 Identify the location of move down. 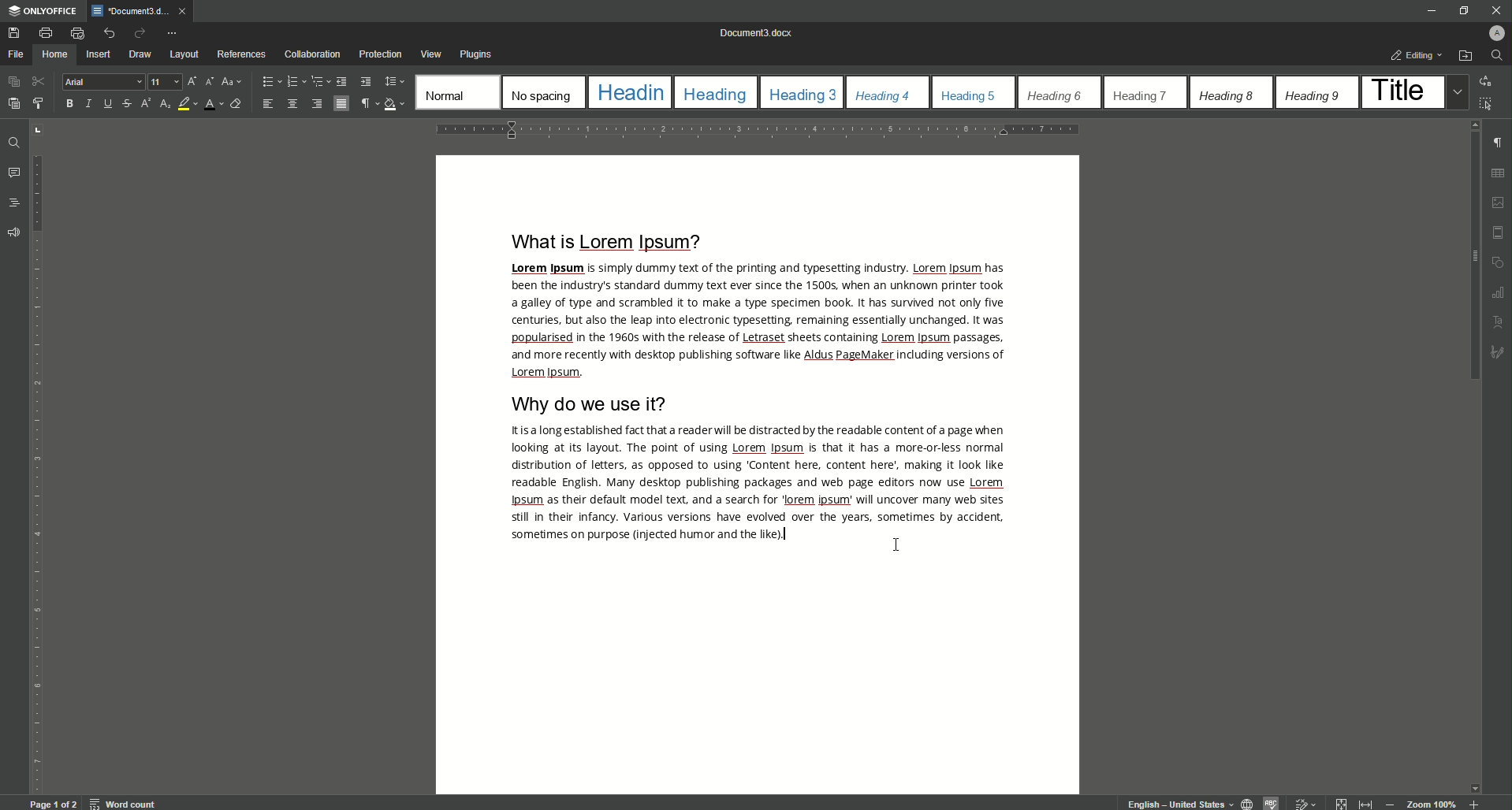
(1477, 783).